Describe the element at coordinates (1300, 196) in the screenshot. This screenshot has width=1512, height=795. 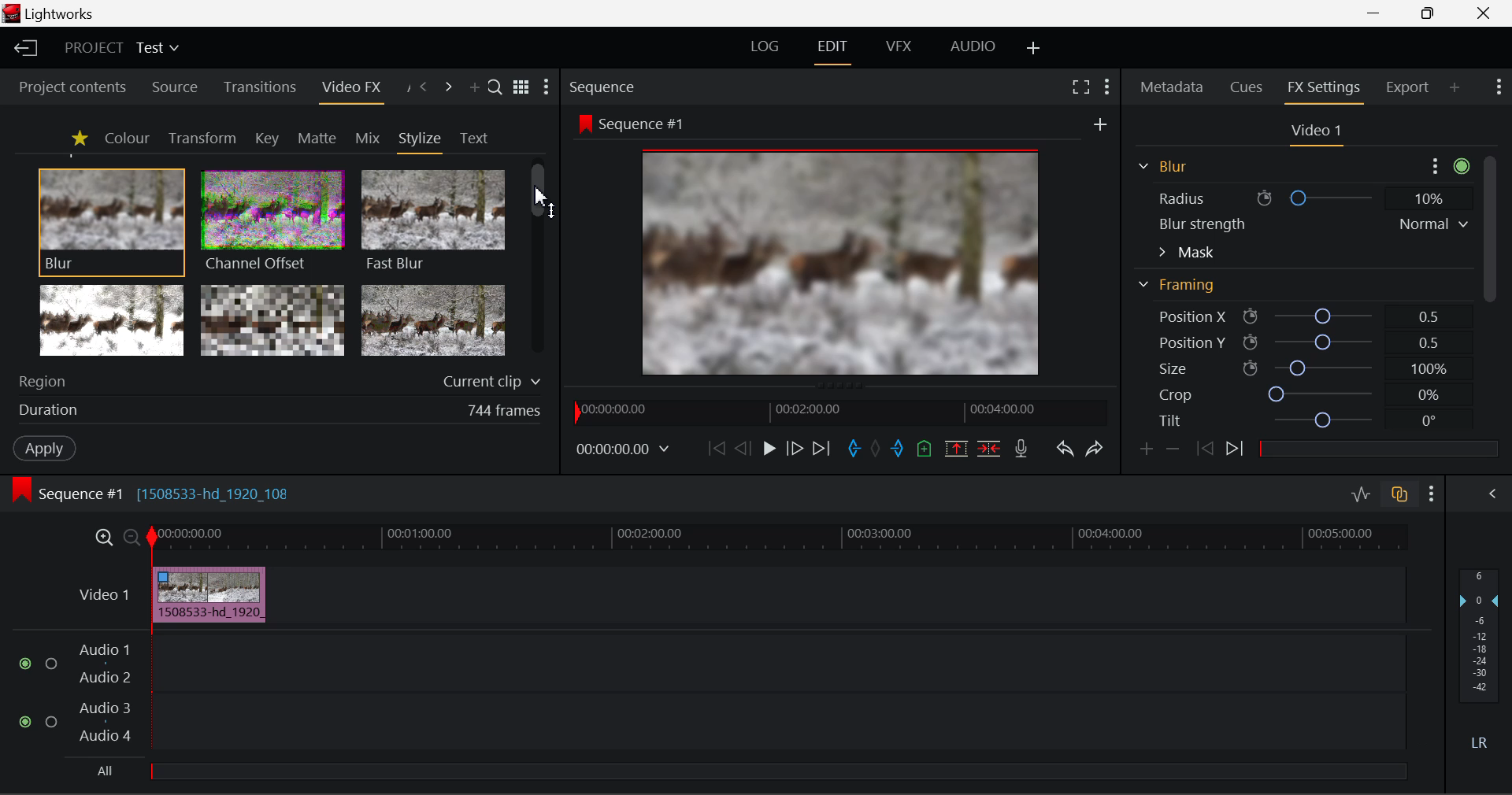
I see `Radius ® O 10%` at that location.